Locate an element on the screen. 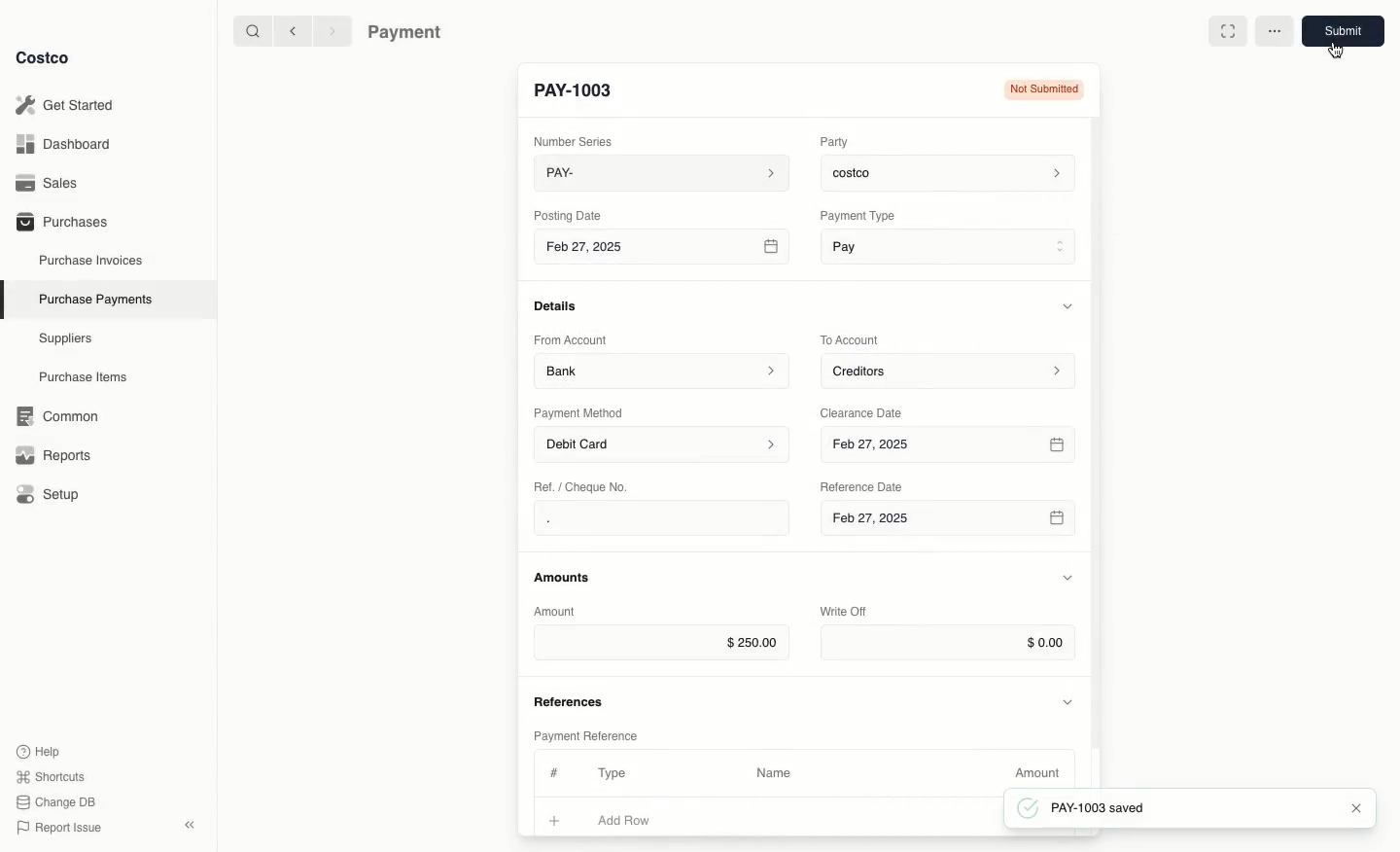 The height and width of the screenshot is (852, 1400). Hide is located at coordinates (1067, 579).